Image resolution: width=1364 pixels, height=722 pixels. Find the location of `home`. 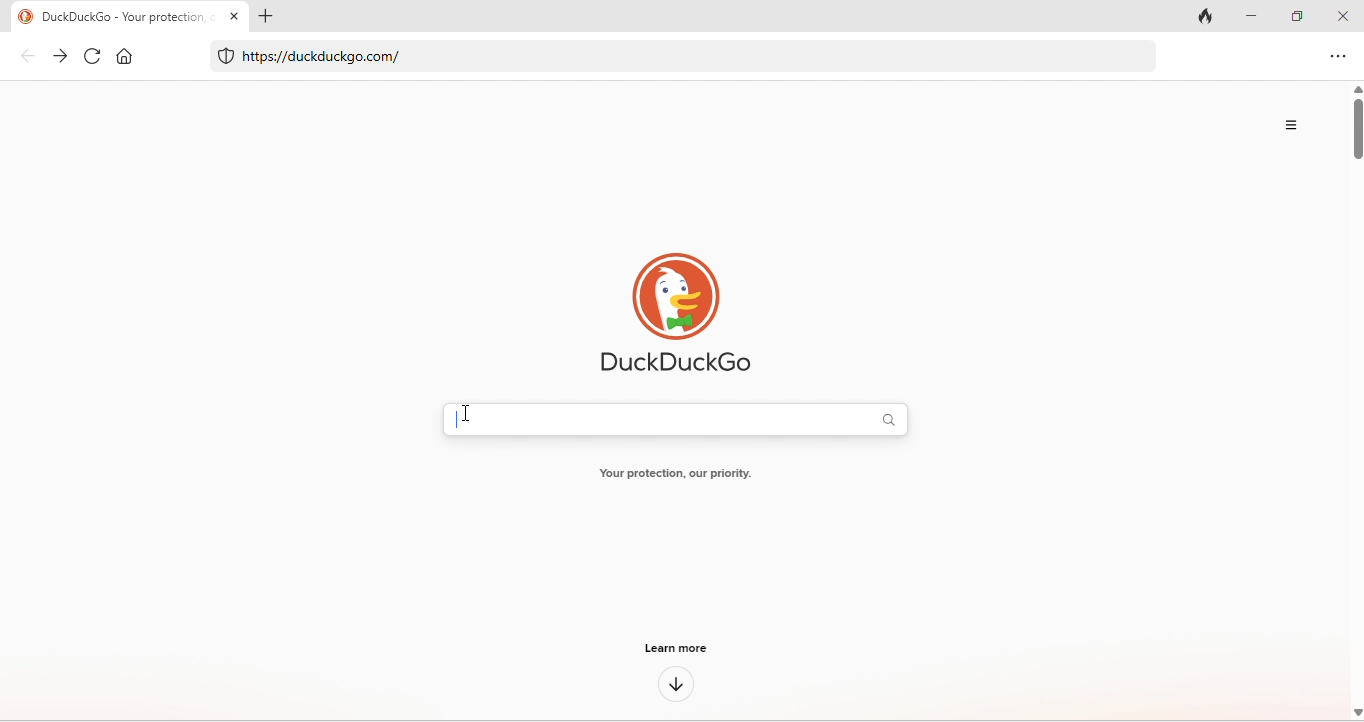

home is located at coordinates (127, 57).